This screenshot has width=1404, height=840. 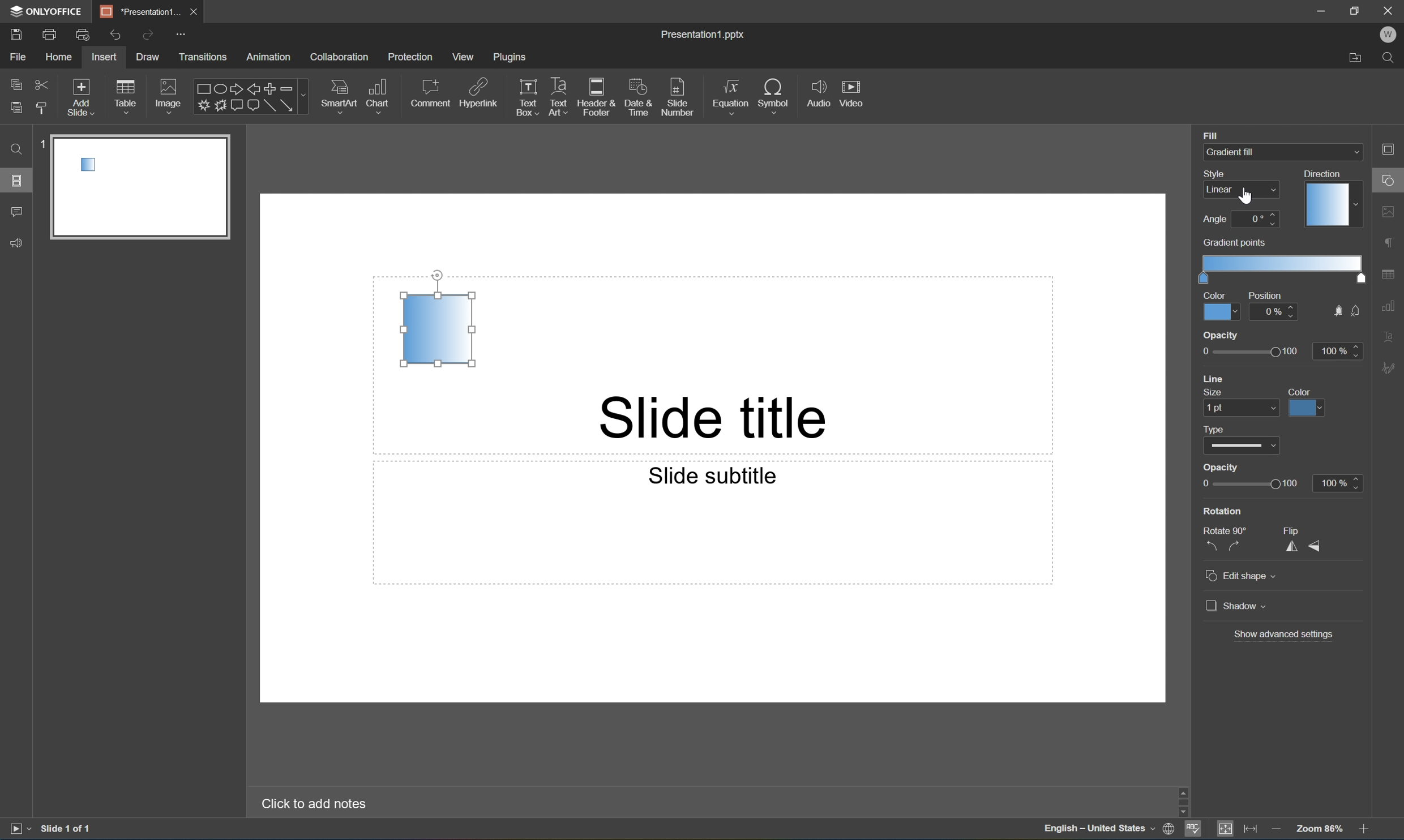 What do you see at coordinates (1242, 578) in the screenshot?
I see `Edit shape` at bounding box center [1242, 578].